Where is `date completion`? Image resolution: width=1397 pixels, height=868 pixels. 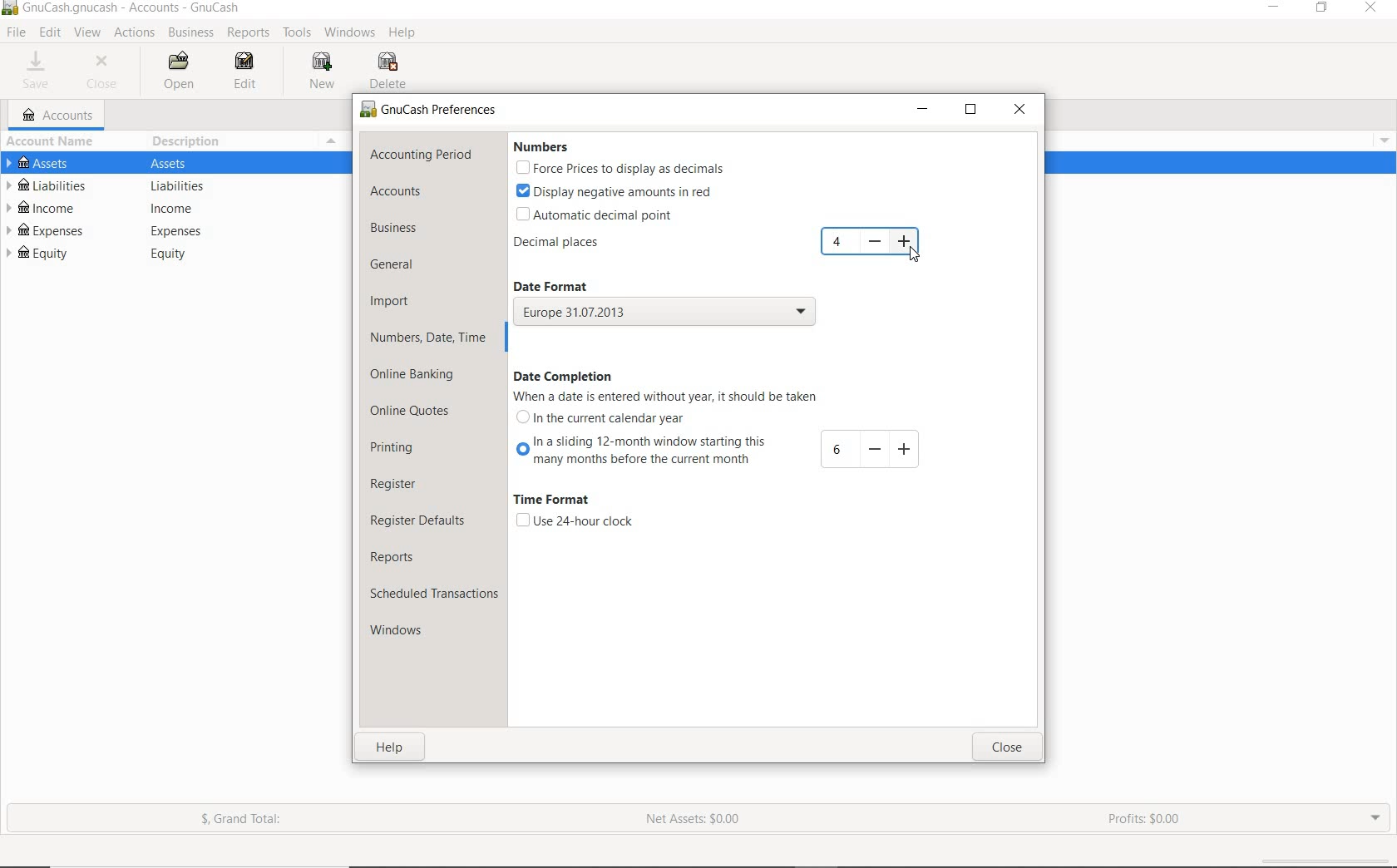 date completion is located at coordinates (565, 376).